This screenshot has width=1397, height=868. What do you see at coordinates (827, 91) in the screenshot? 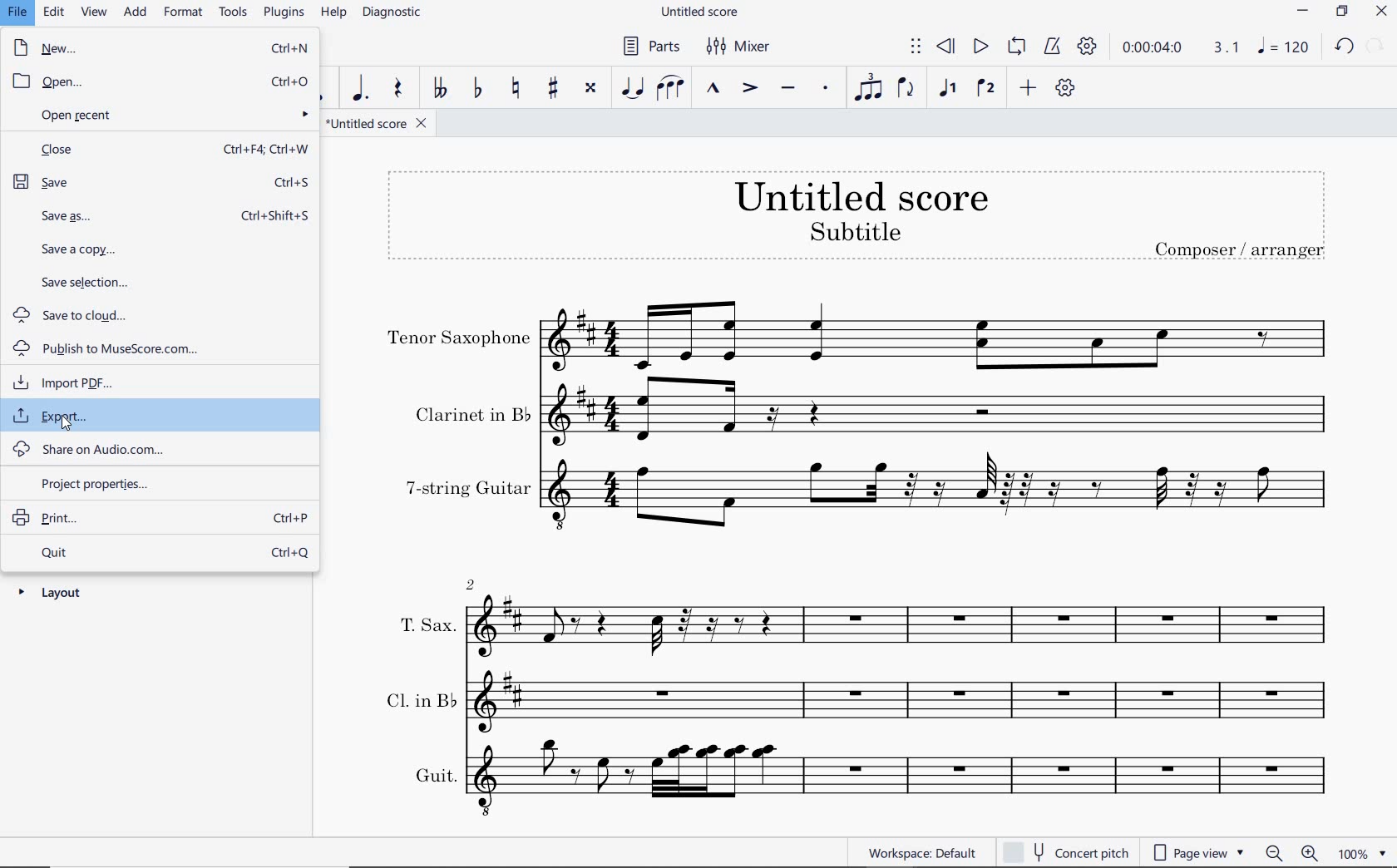
I see `STACCATO` at bounding box center [827, 91].